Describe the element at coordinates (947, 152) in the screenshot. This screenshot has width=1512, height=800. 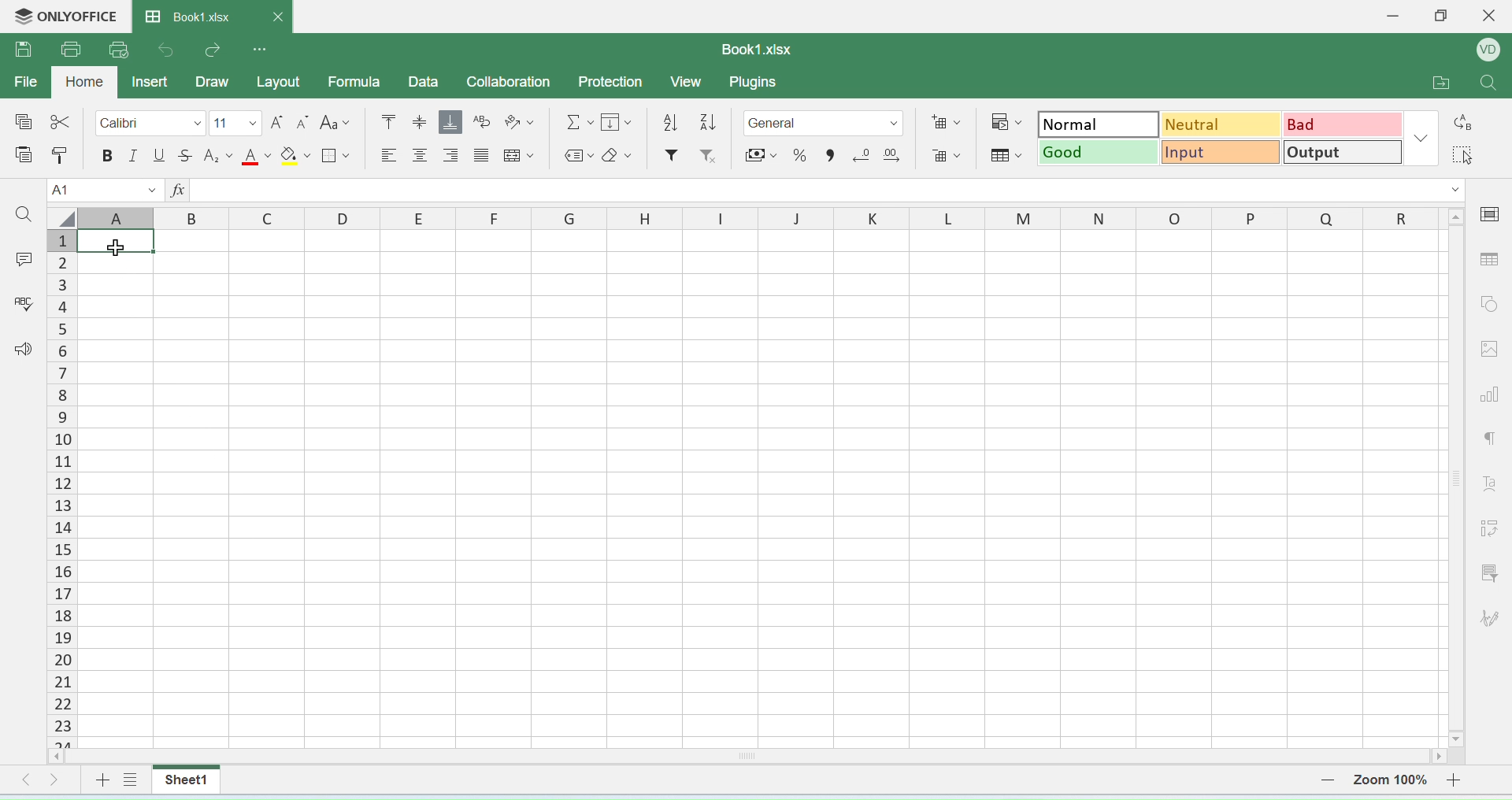
I see `remove cells` at that location.